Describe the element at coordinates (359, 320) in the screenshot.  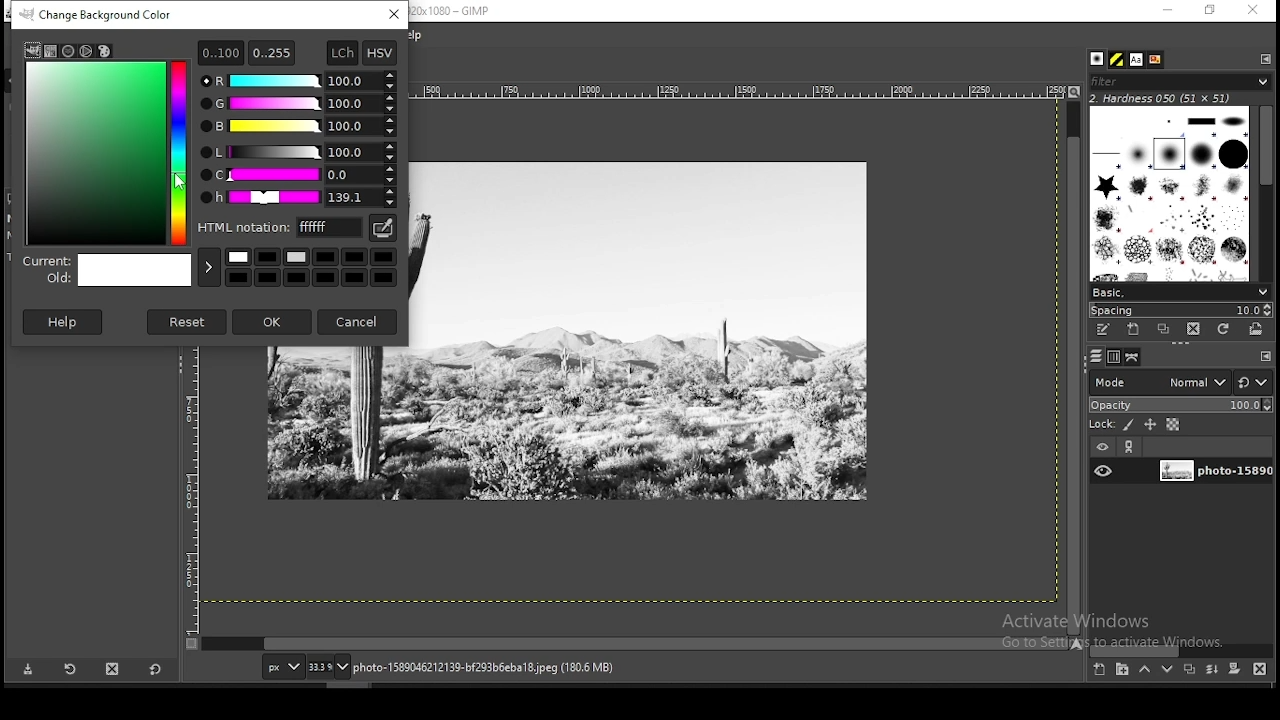
I see `cancel` at that location.